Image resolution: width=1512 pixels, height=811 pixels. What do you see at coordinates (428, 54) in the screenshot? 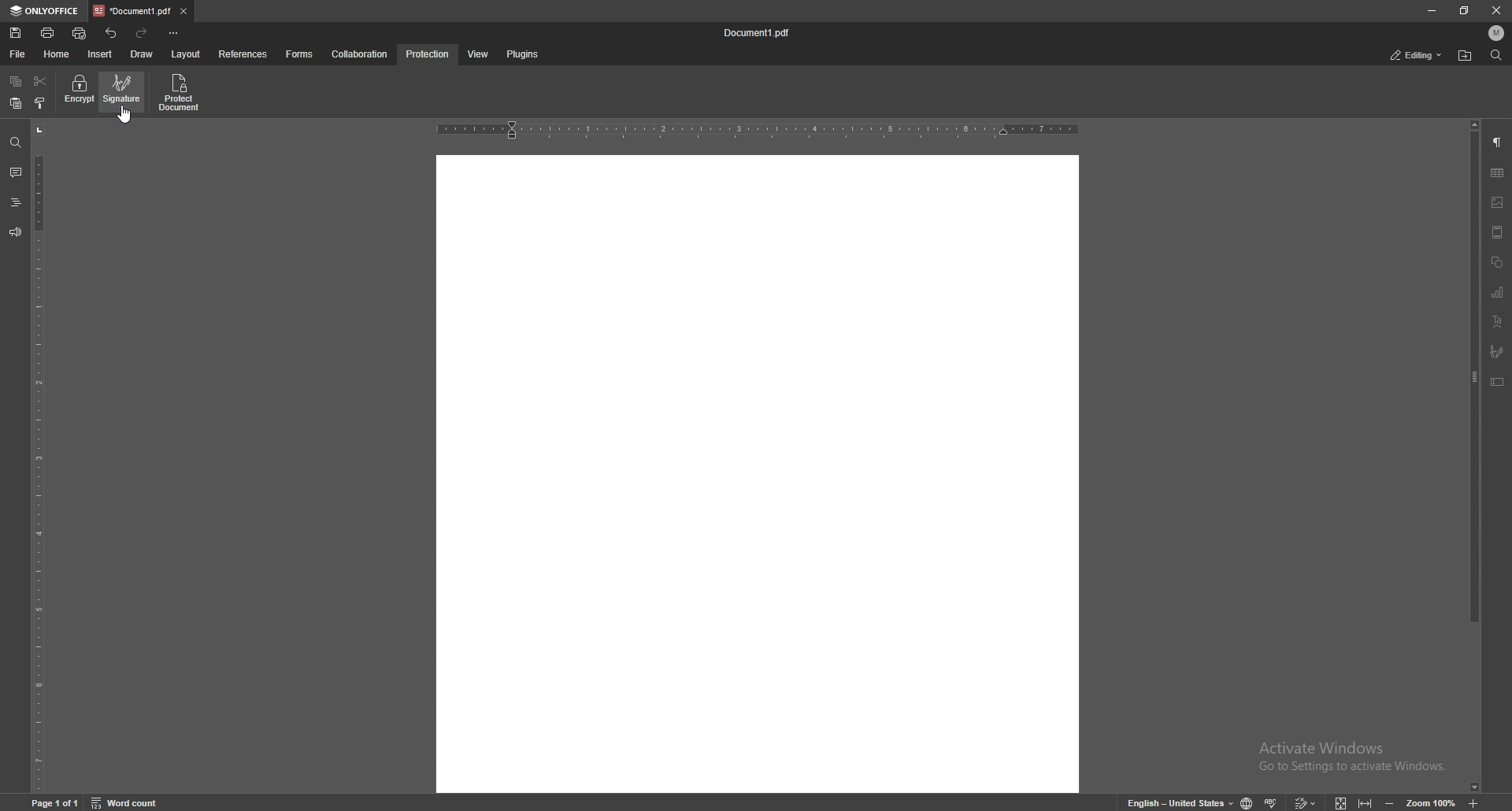
I see `protection` at bounding box center [428, 54].